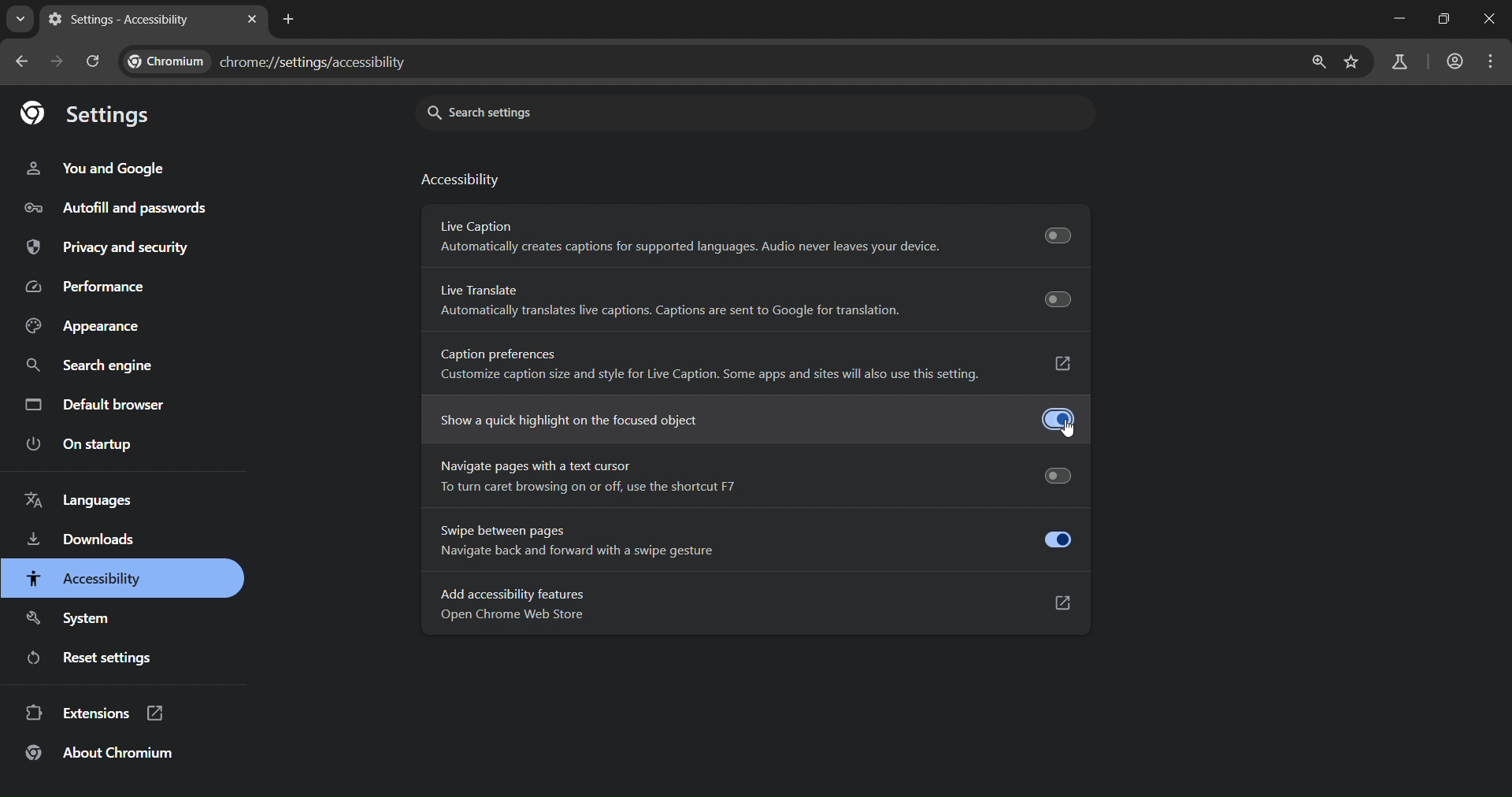  What do you see at coordinates (695, 236) in the screenshot?
I see `live caption` at bounding box center [695, 236].